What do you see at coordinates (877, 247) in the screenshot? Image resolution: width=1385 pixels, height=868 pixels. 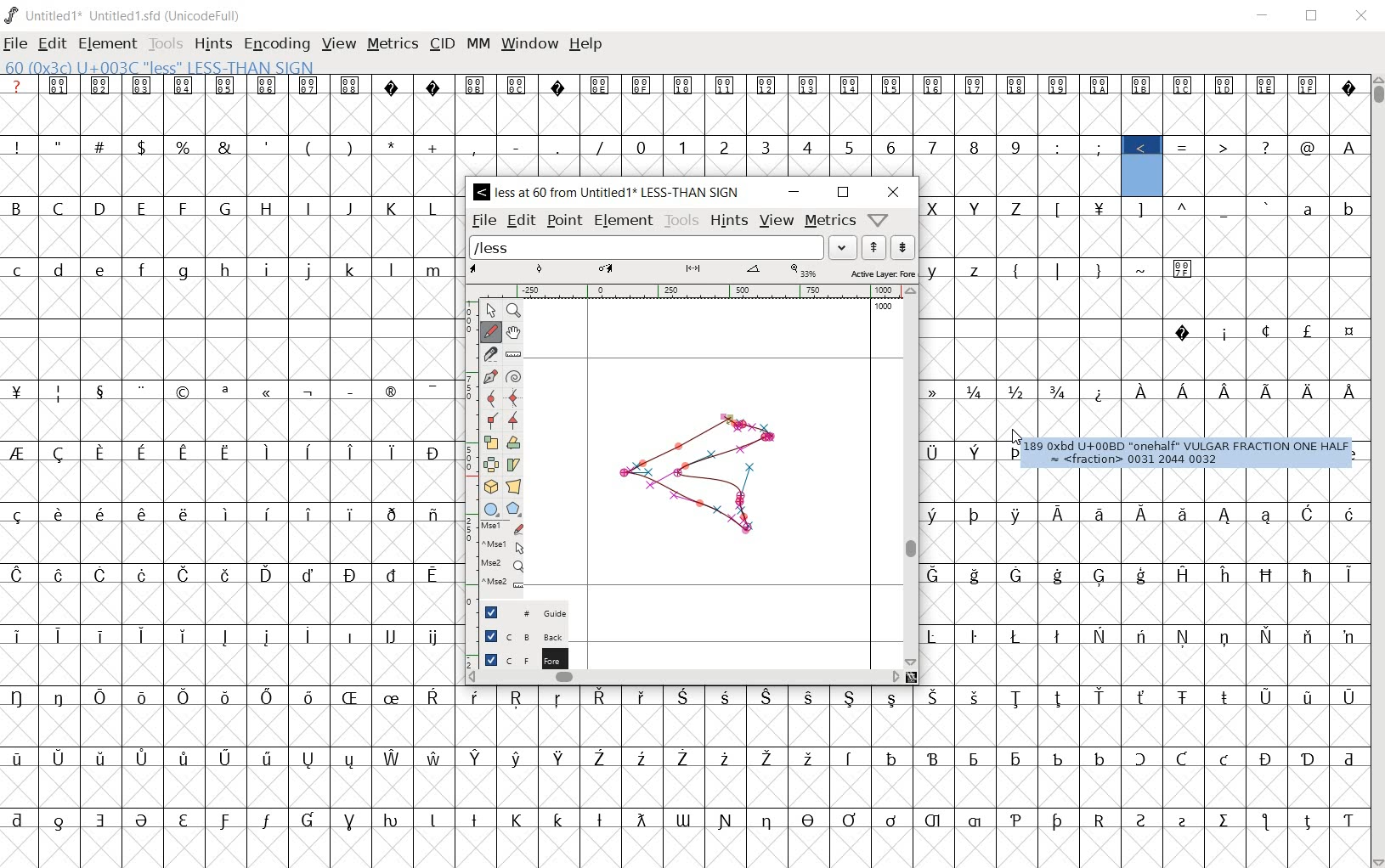 I see `show the next word on the list` at bounding box center [877, 247].